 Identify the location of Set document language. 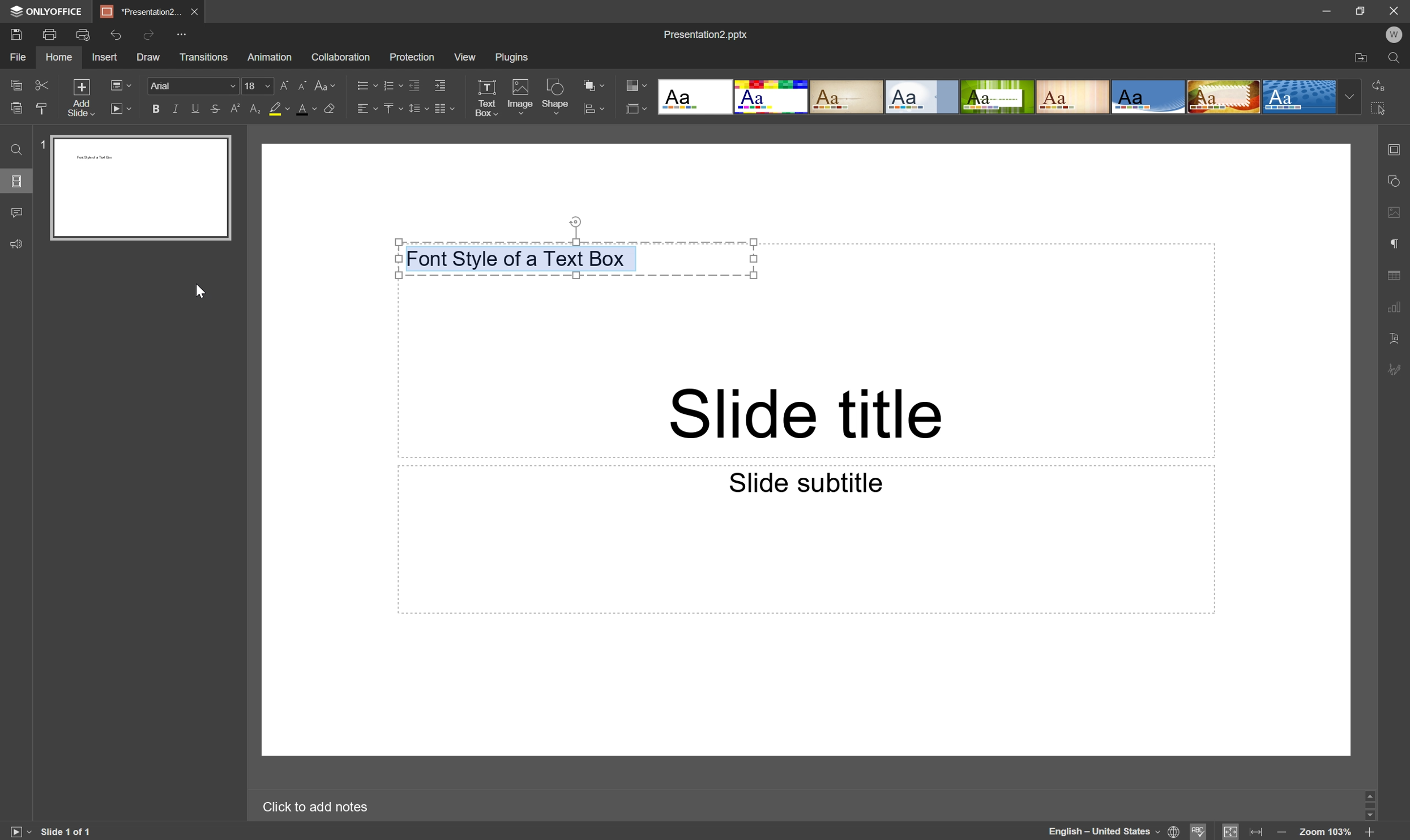
(1175, 832).